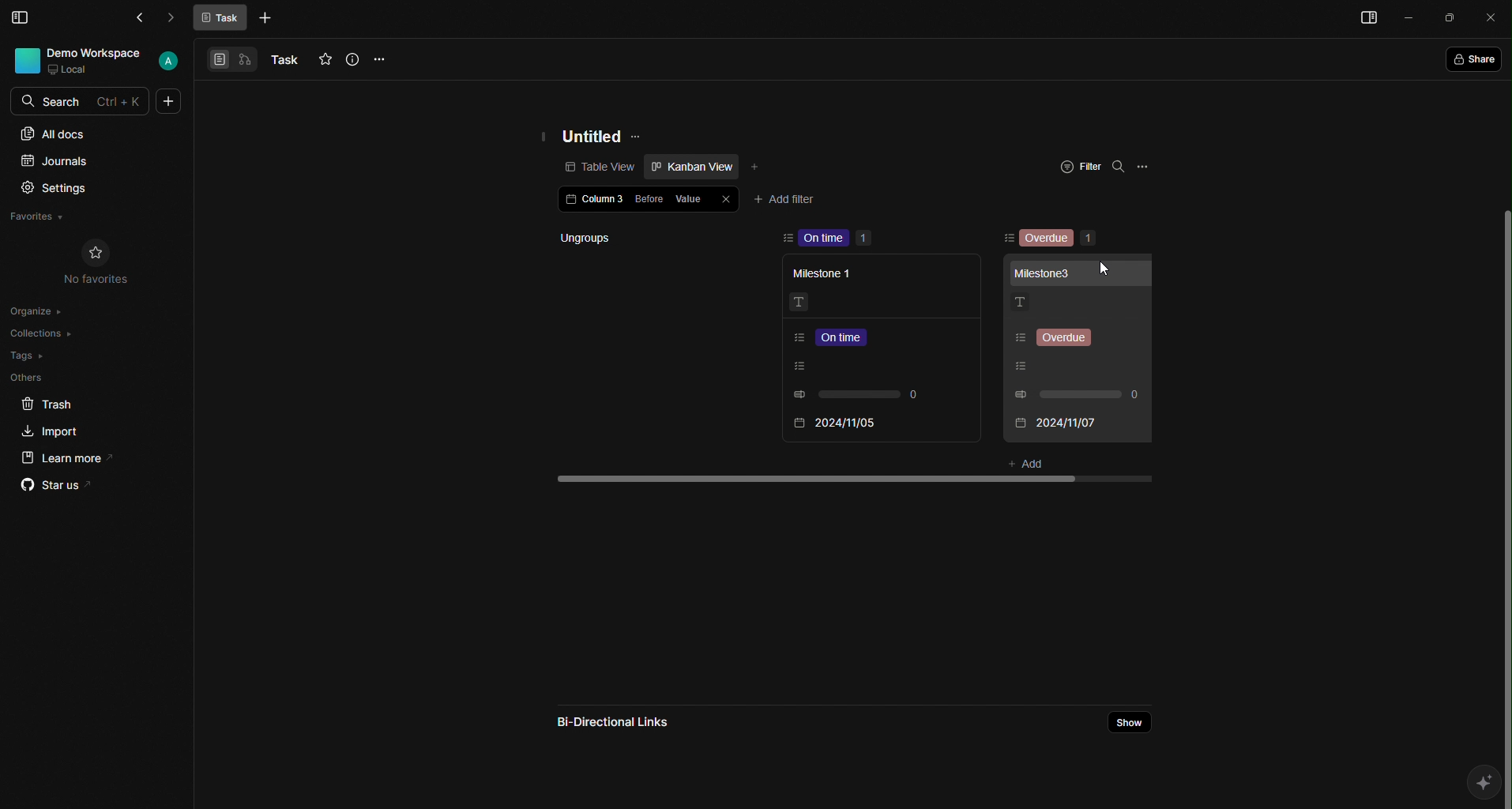  Describe the element at coordinates (724, 198) in the screenshot. I see `Close` at that location.